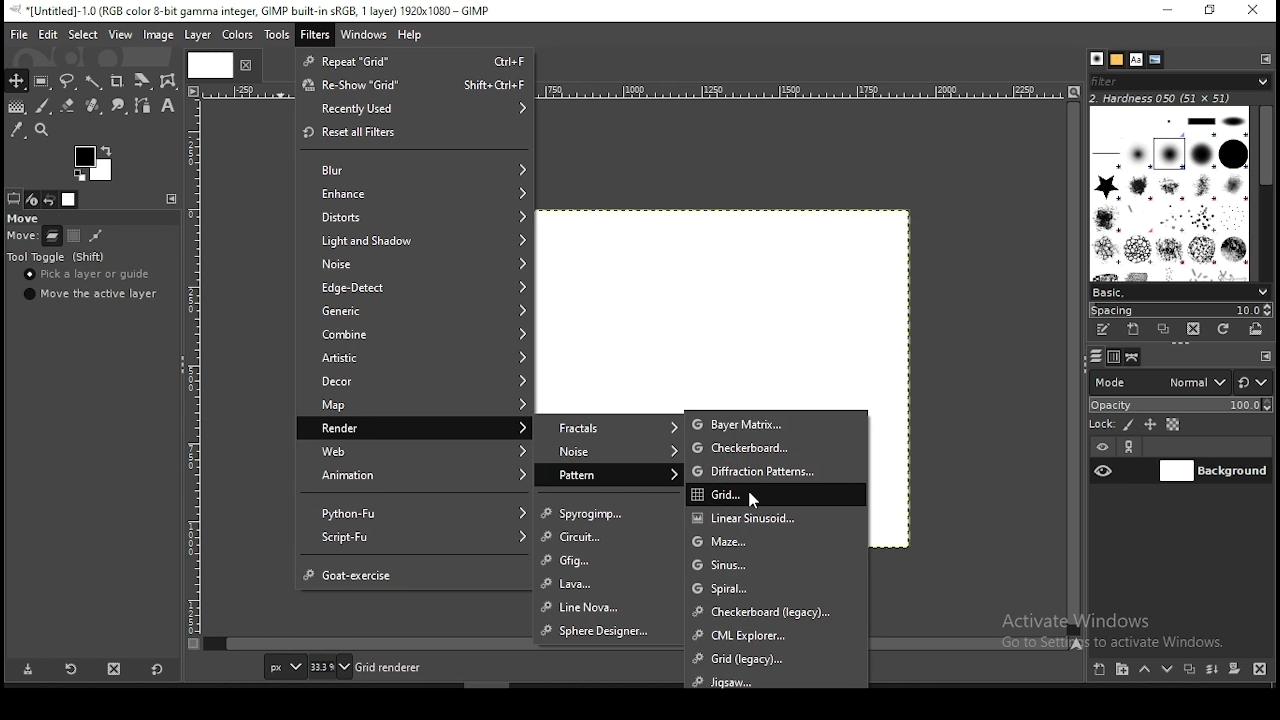  What do you see at coordinates (614, 560) in the screenshot?
I see `Gfig` at bounding box center [614, 560].